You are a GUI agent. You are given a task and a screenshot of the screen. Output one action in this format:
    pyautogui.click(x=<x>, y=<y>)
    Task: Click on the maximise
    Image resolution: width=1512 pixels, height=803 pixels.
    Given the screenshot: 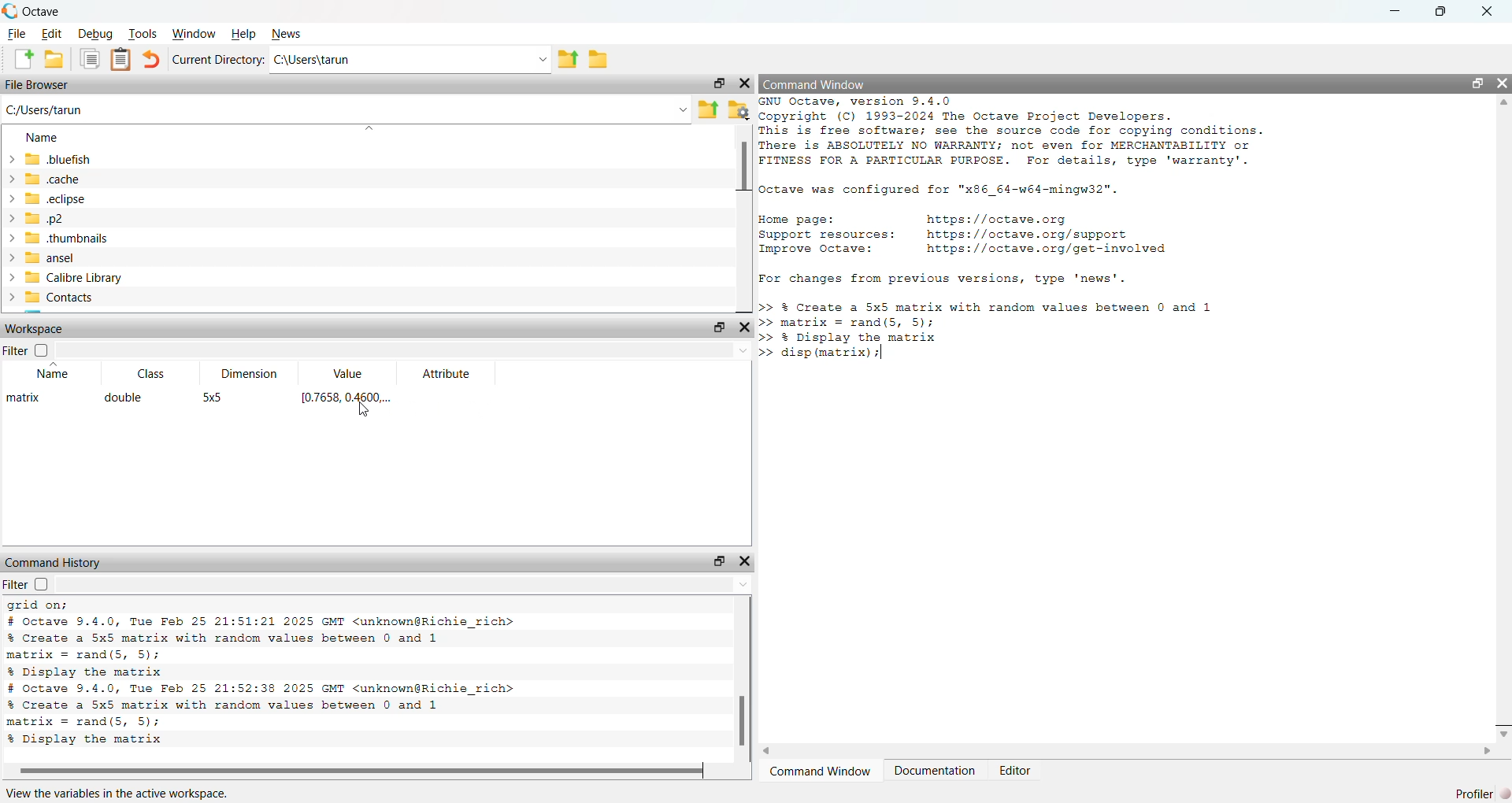 What is the action you would take?
    pyautogui.click(x=1476, y=83)
    